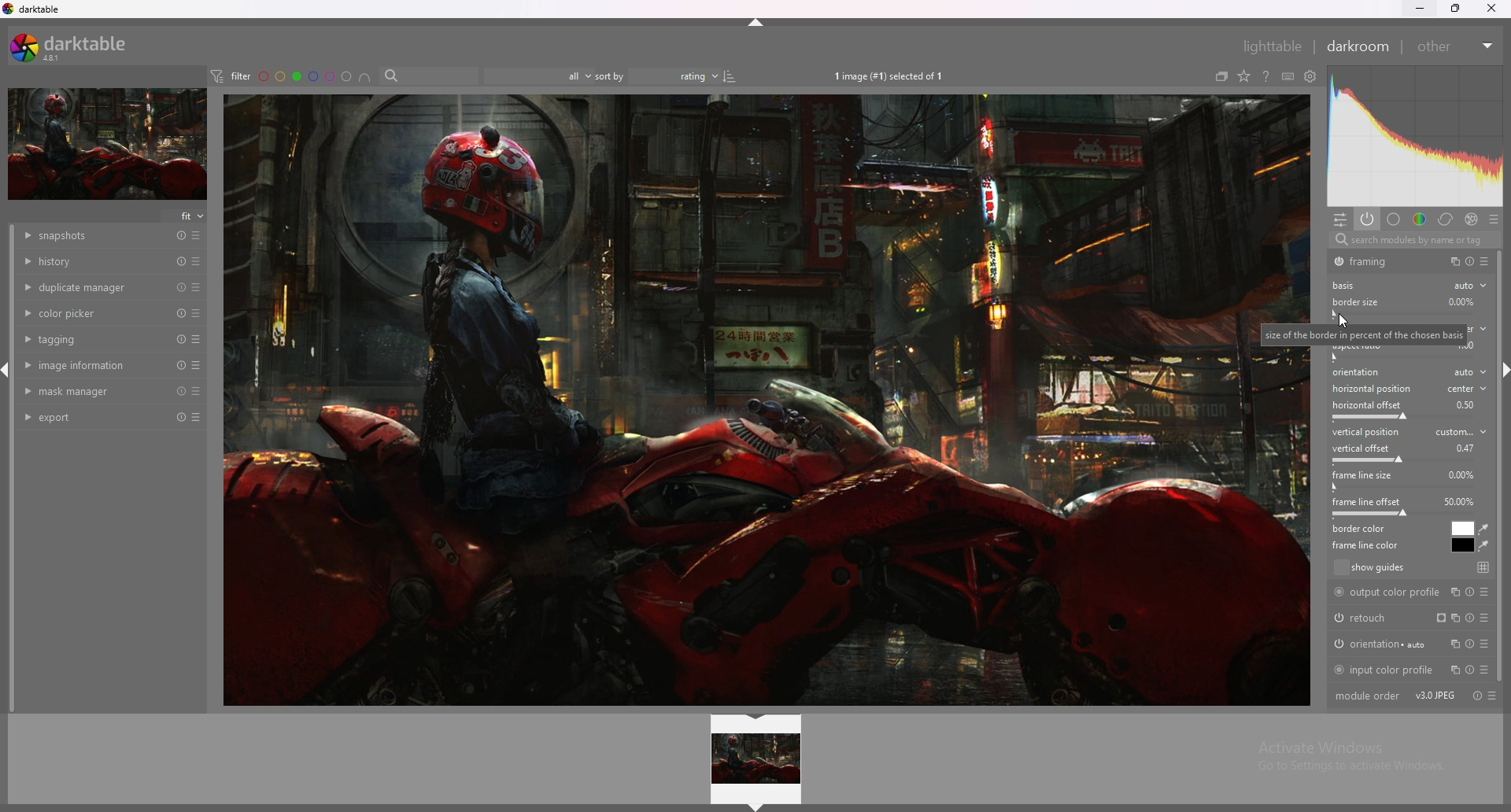  I want to click on frame line size, so click(1362, 475).